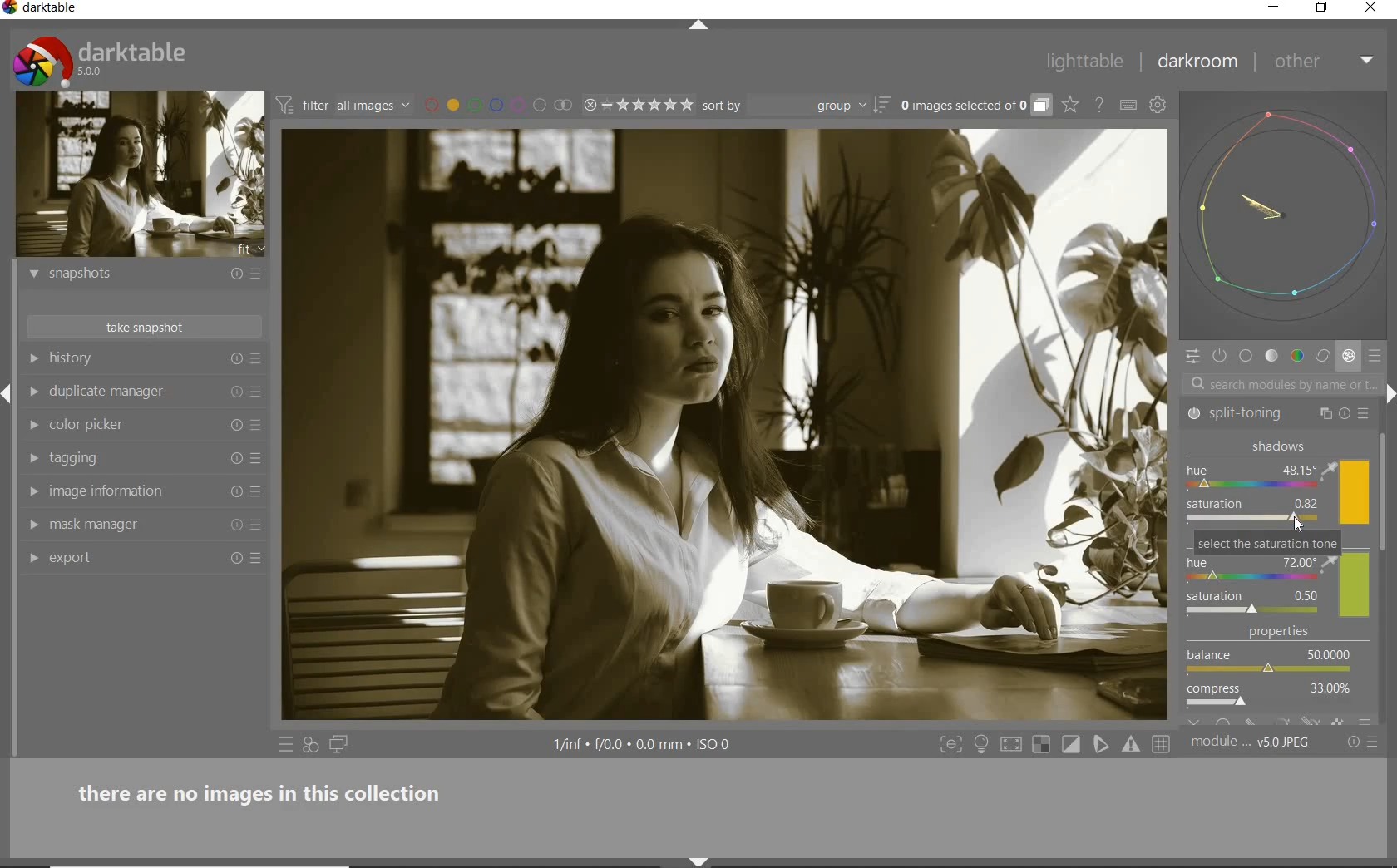  I want to click on shift+ctrl+b, so click(698, 861).